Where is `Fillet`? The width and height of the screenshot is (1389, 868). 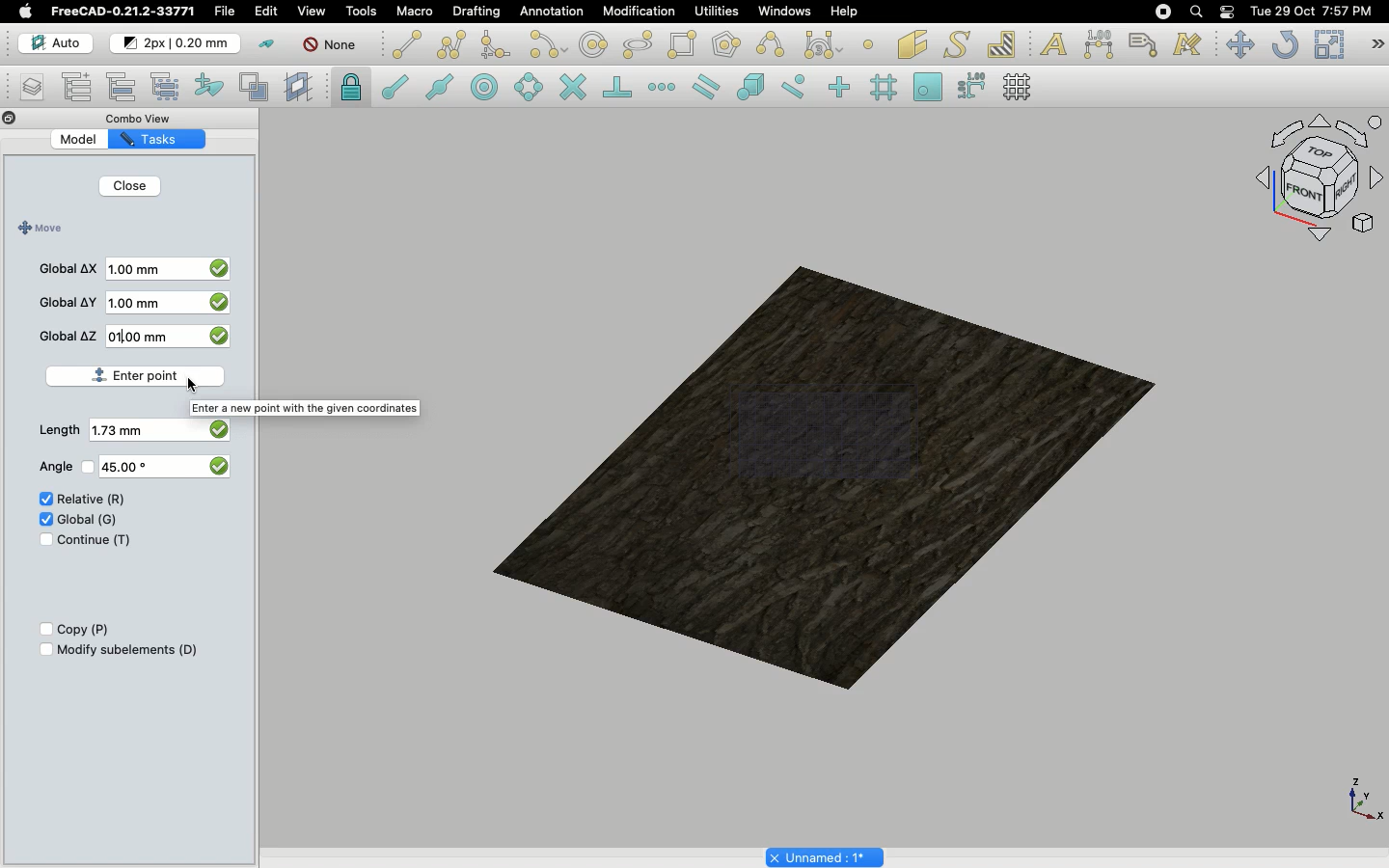 Fillet is located at coordinates (494, 47).